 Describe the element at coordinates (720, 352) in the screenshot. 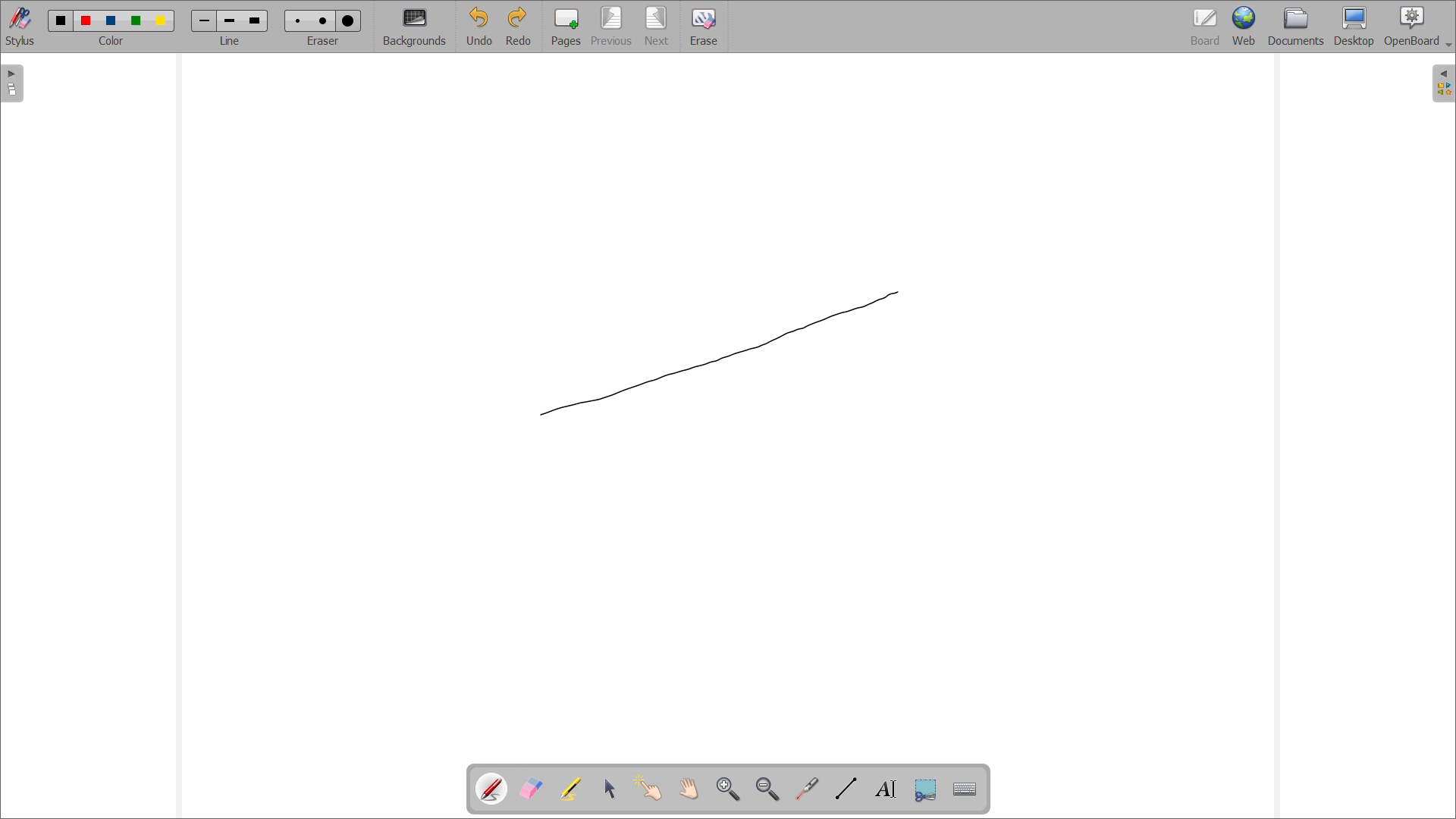

I see `line being drawn` at that location.